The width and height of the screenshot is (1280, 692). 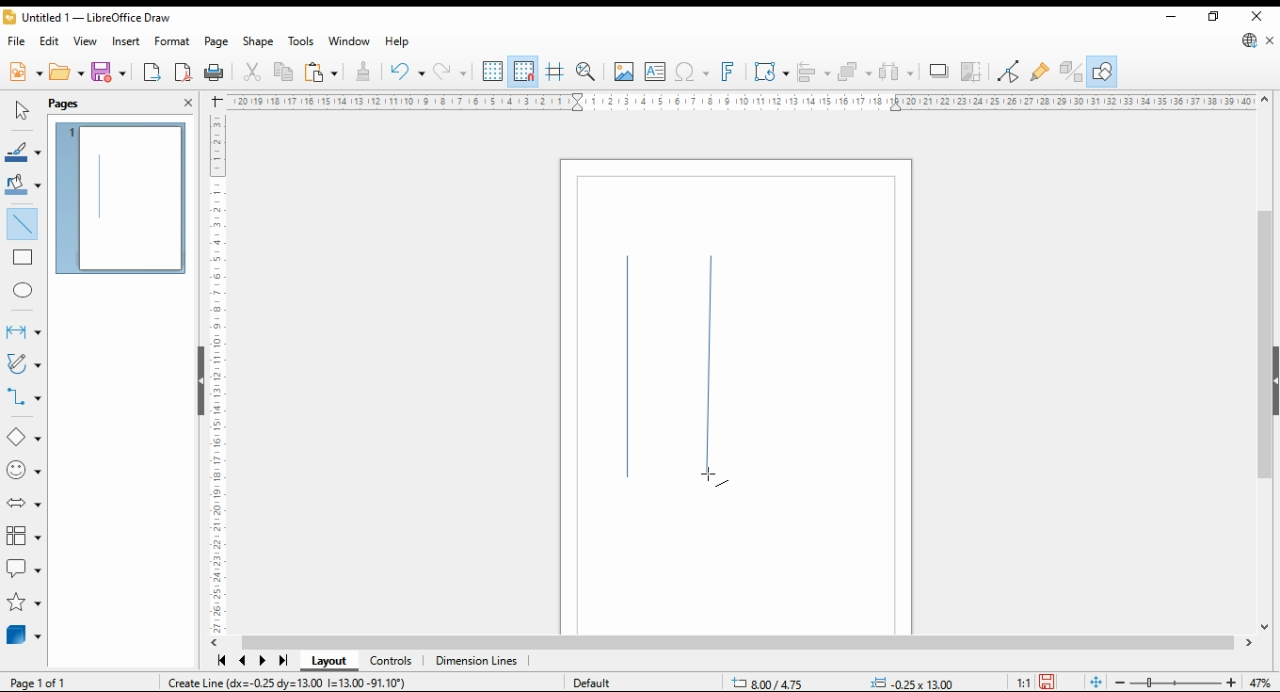 I want to click on zoom slider, so click(x=1176, y=681).